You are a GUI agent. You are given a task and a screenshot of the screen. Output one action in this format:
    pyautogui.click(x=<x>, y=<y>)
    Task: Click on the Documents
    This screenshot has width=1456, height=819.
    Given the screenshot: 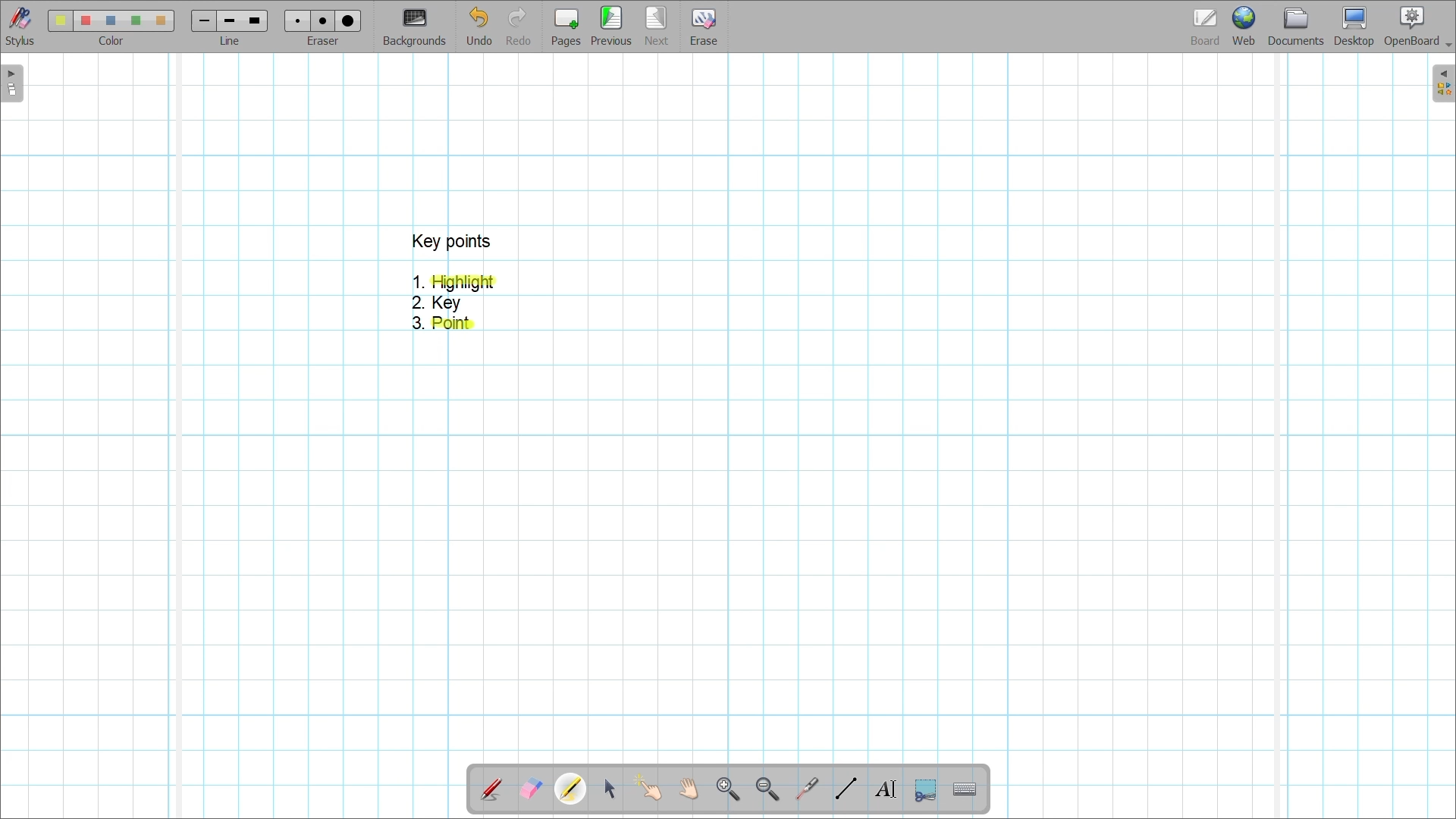 What is the action you would take?
    pyautogui.click(x=1296, y=27)
    